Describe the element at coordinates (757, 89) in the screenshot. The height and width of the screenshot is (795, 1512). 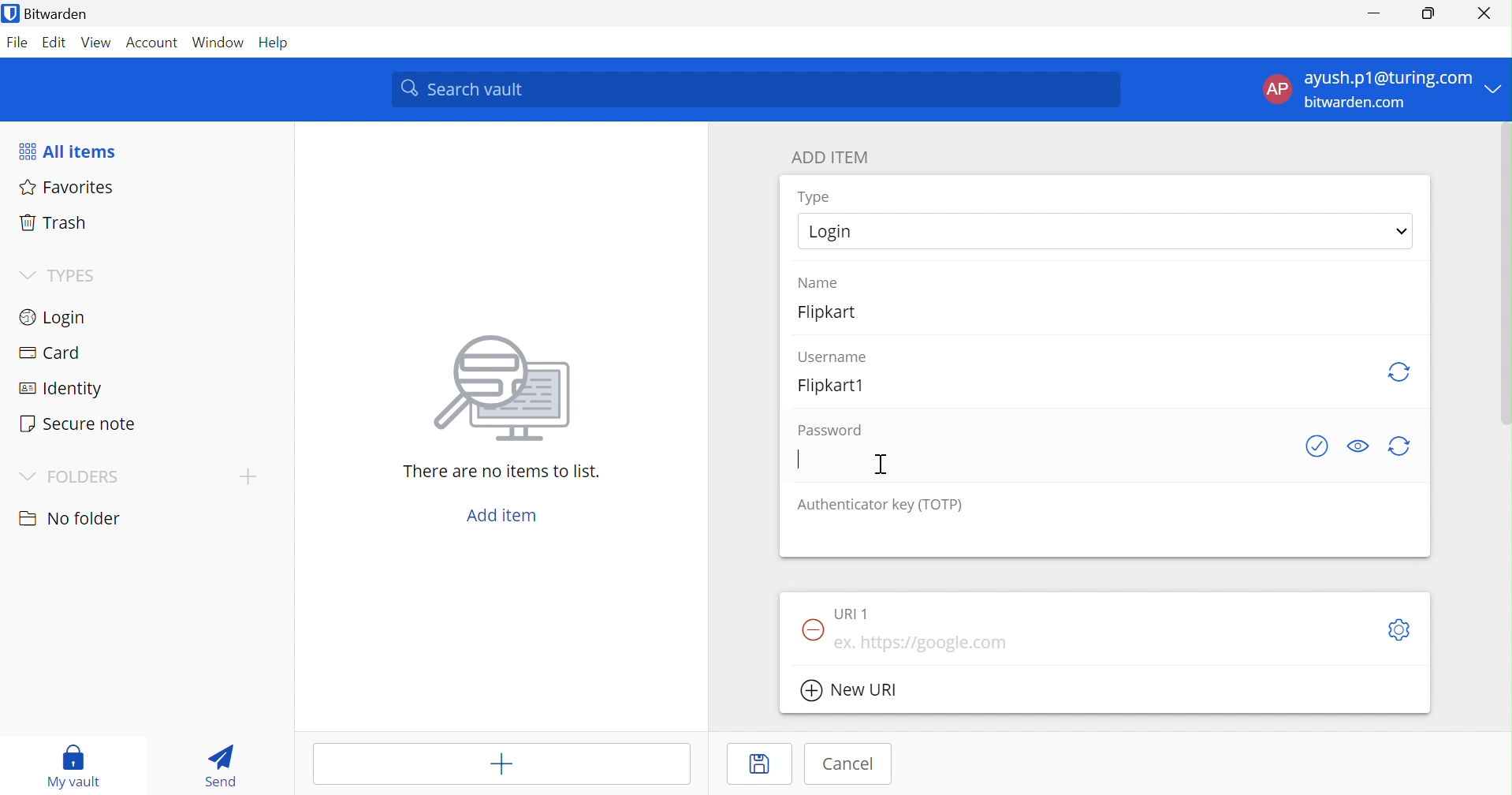
I see `Search Vault` at that location.